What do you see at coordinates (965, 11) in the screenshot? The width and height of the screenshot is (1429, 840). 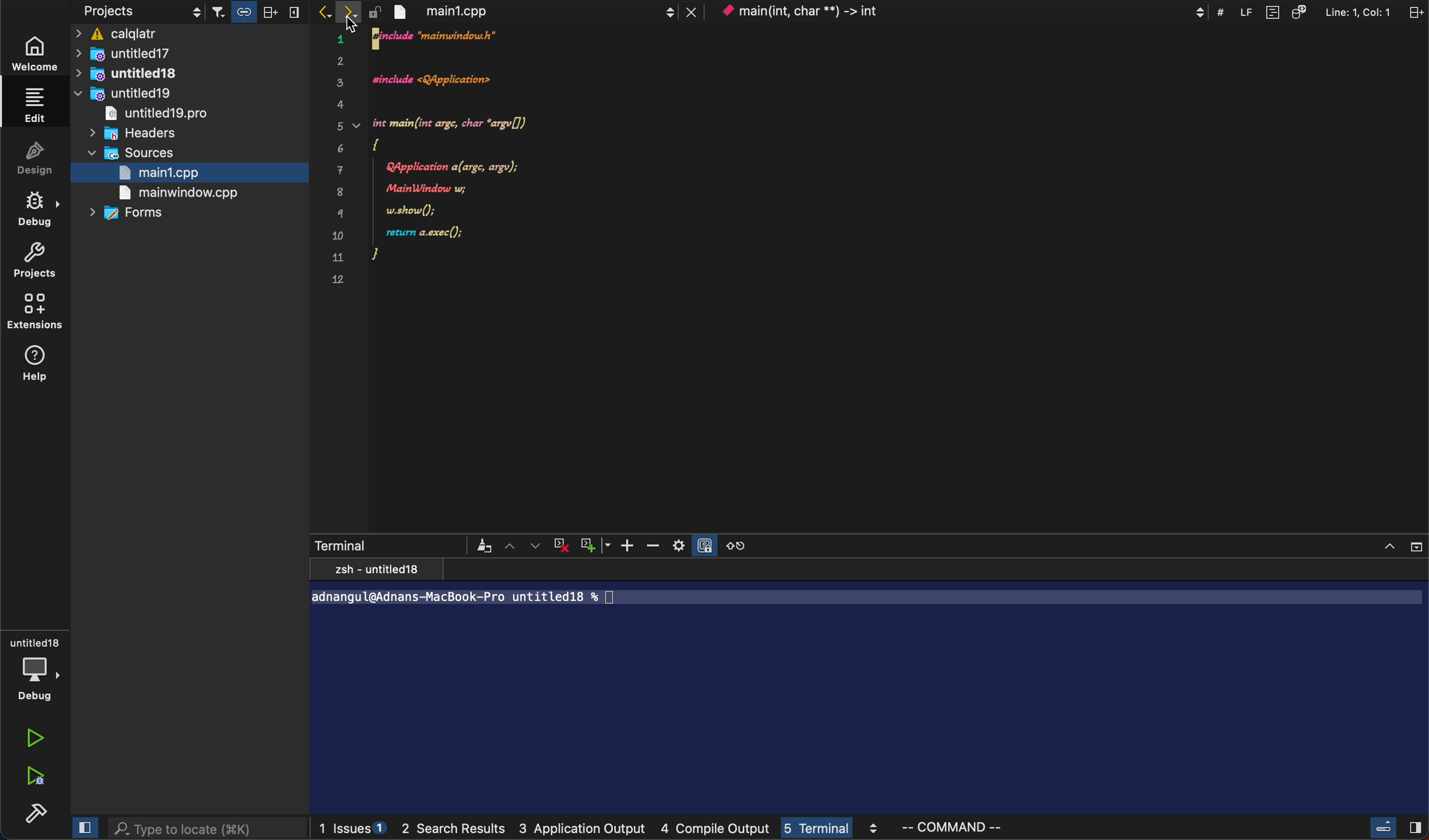 I see `context` at bounding box center [965, 11].